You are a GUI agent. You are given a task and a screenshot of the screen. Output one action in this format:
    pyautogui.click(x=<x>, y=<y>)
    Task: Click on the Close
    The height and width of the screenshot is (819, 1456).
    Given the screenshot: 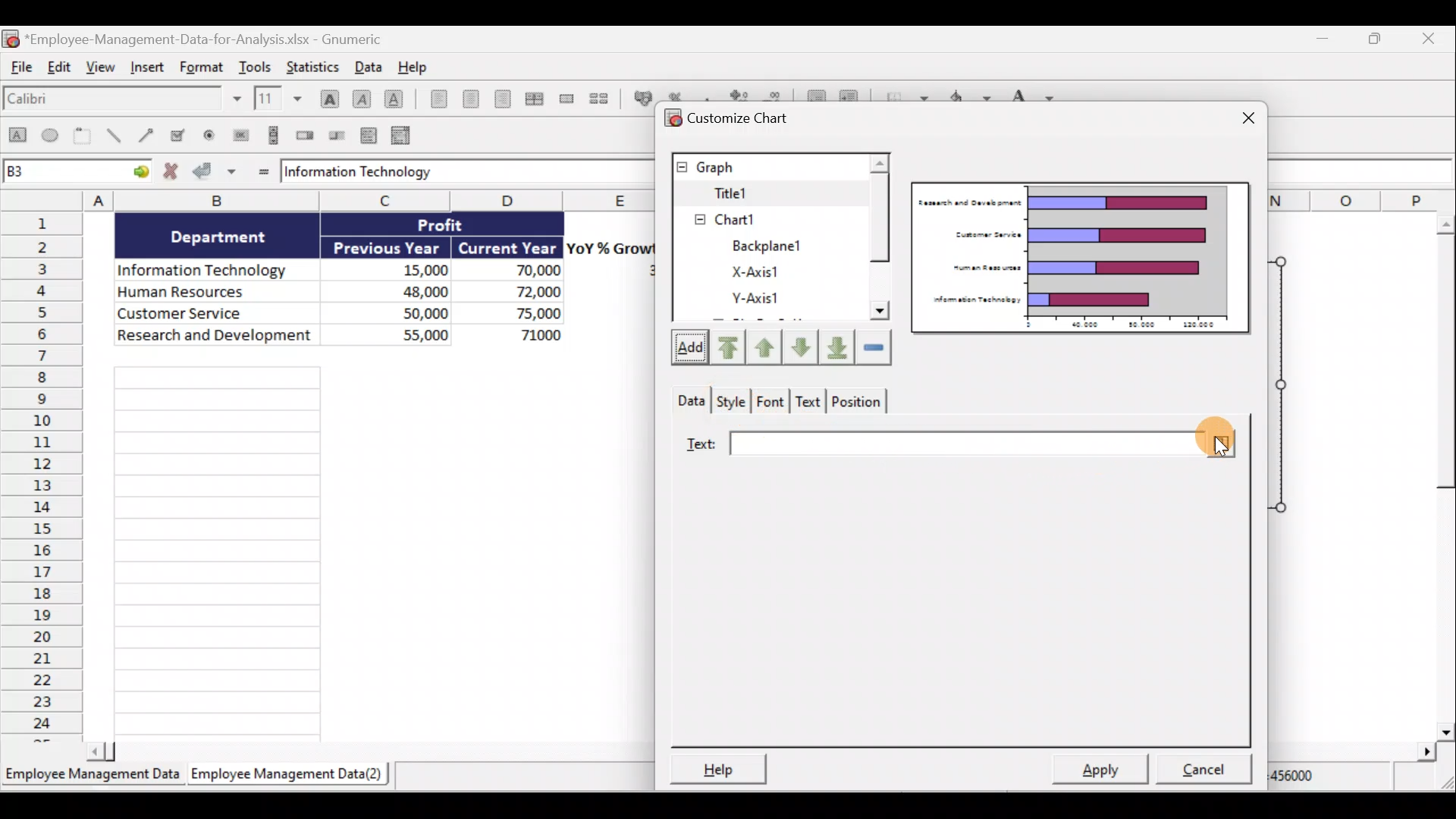 What is the action you would take?
    pyautogui.click(x=1239, y=115)
    